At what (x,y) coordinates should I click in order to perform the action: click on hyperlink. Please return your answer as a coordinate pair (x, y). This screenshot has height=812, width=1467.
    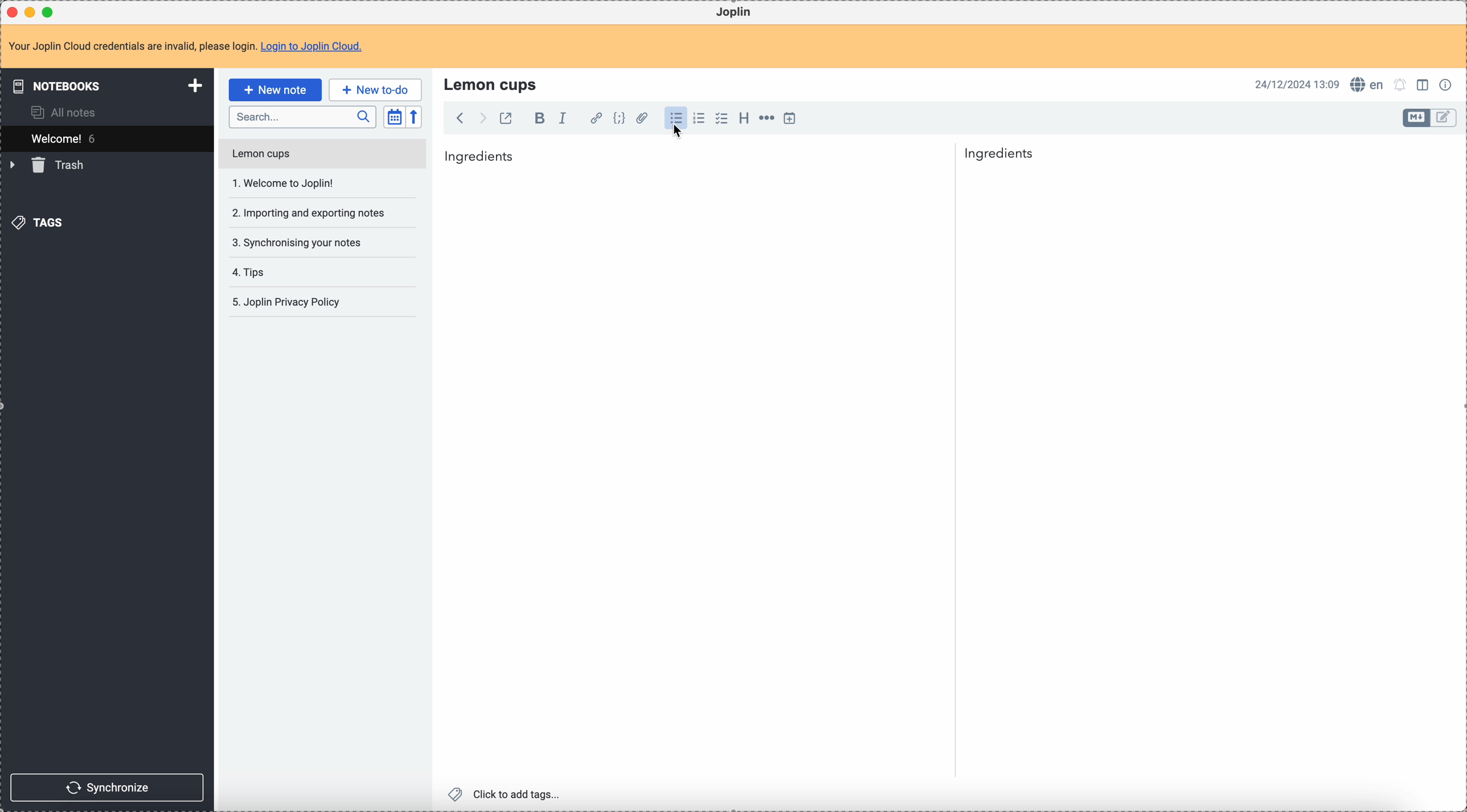
    Looking at the image, I should click on (594, 119).